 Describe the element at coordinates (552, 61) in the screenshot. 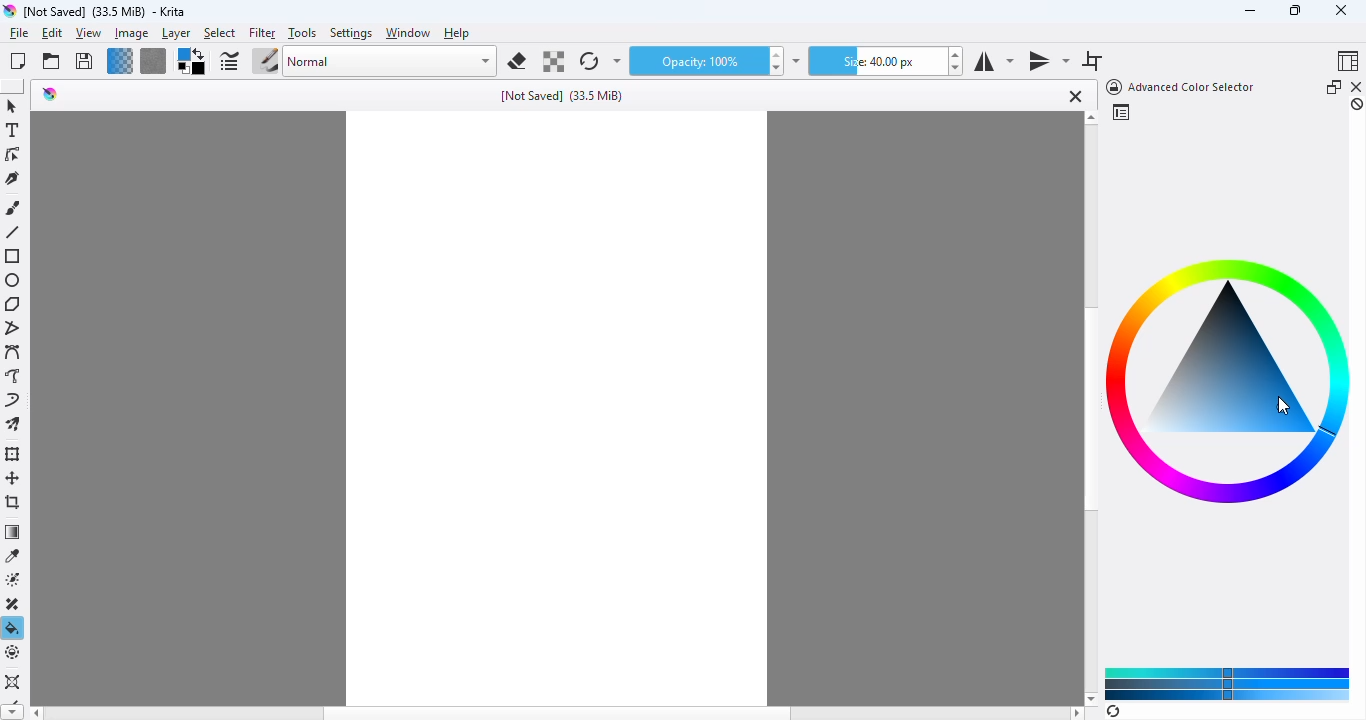

I see `preserve alpha` at that location.